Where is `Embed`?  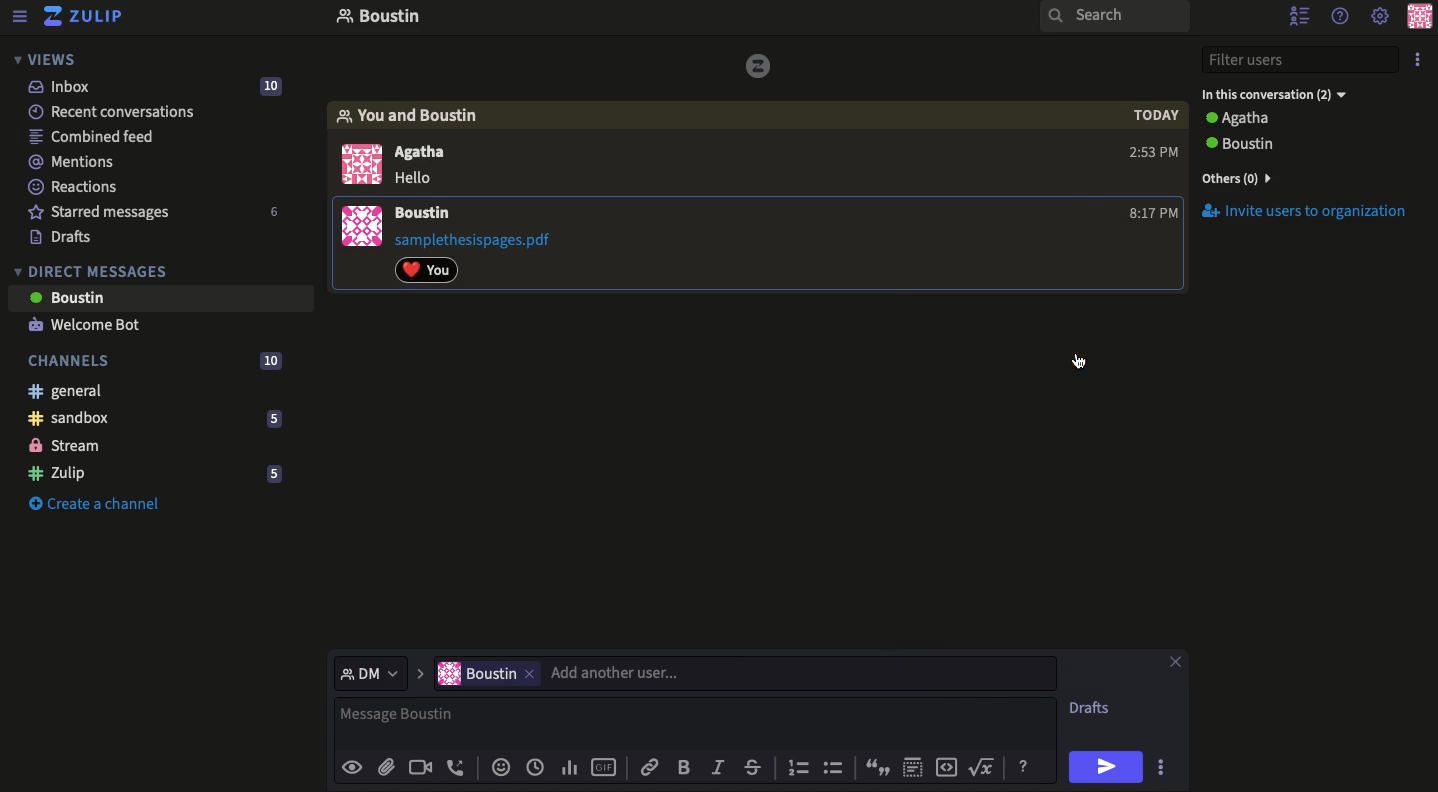 Embed is located at coordinates (943, 765).